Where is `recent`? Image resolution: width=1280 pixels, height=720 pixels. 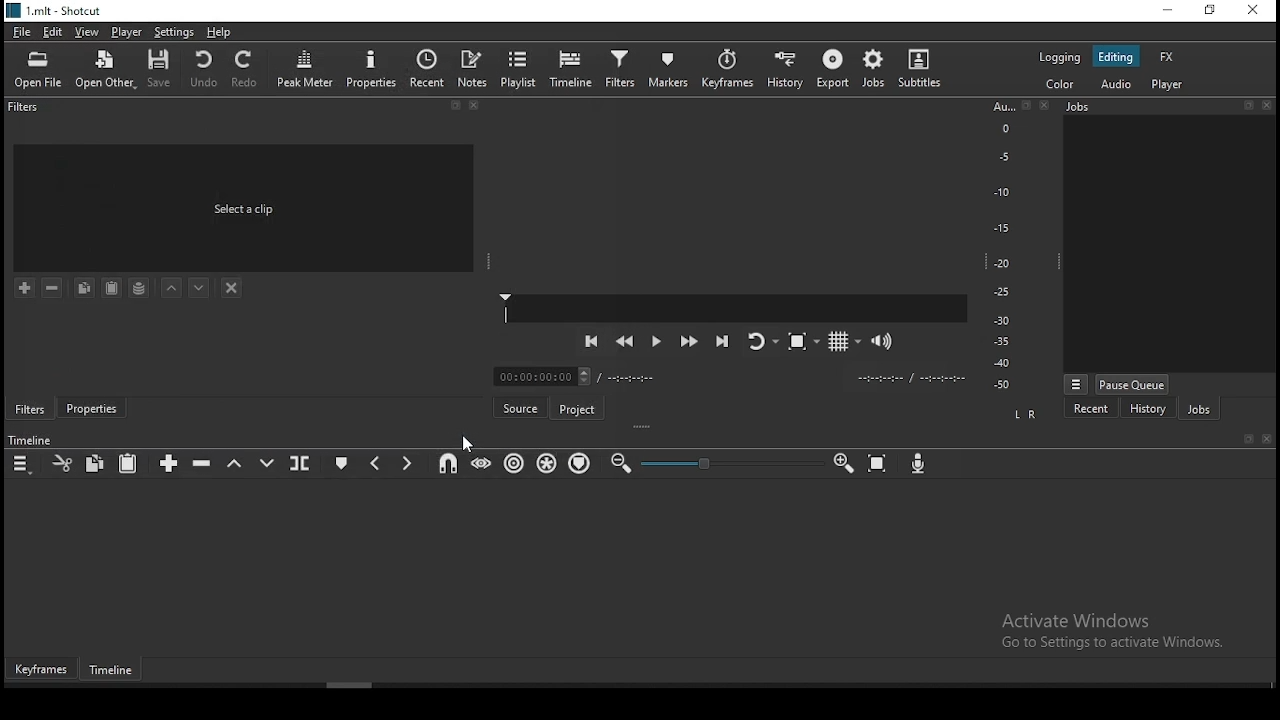 recent is located at coordinates (428, 68).